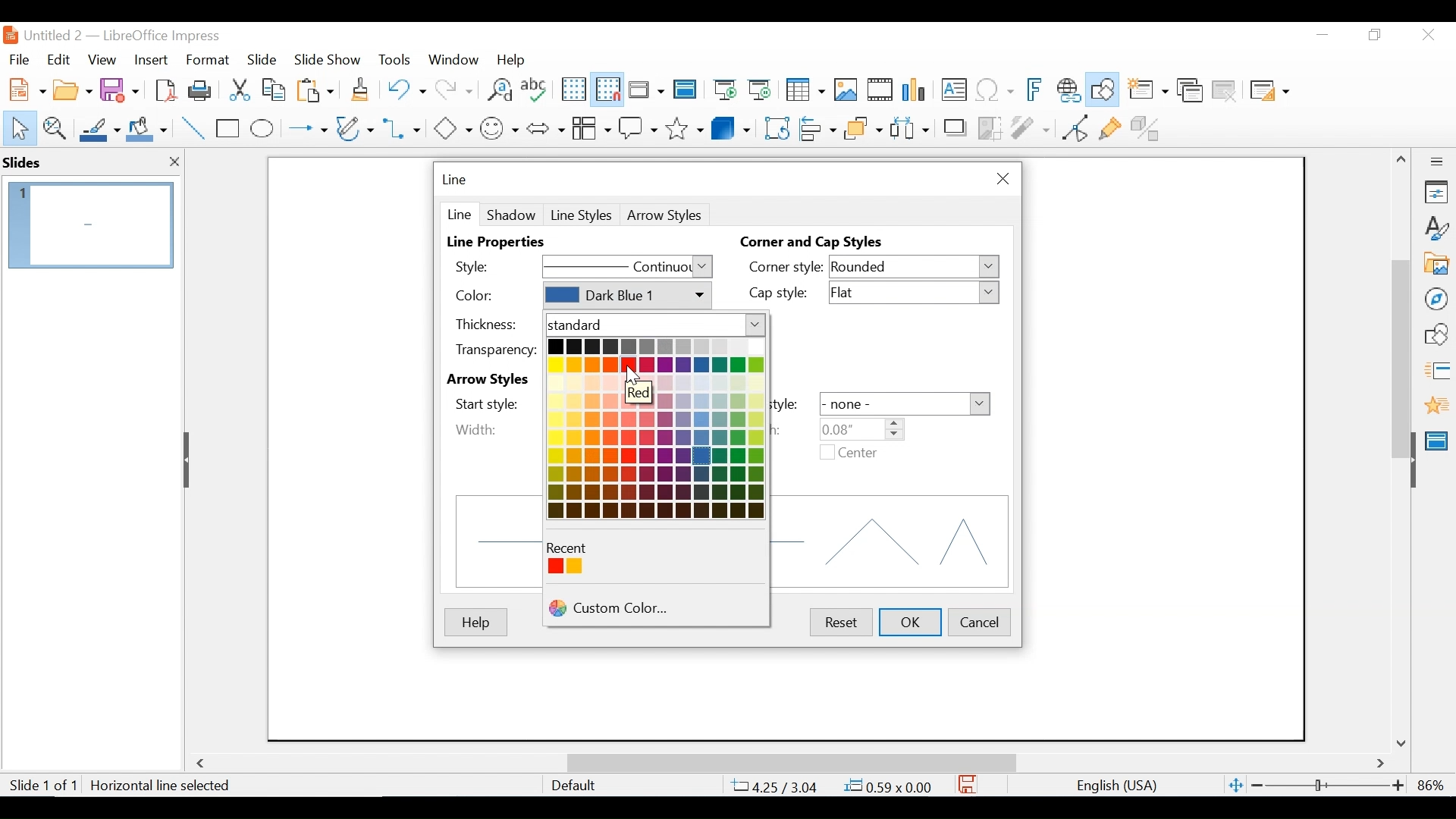 Image resolution: width=1456 pixels, height=819 pixels. What do you see at coordinates (1068, 90) in the screenshot?
I see `Insert Hyperlink` at bounding box center [1068, 90].